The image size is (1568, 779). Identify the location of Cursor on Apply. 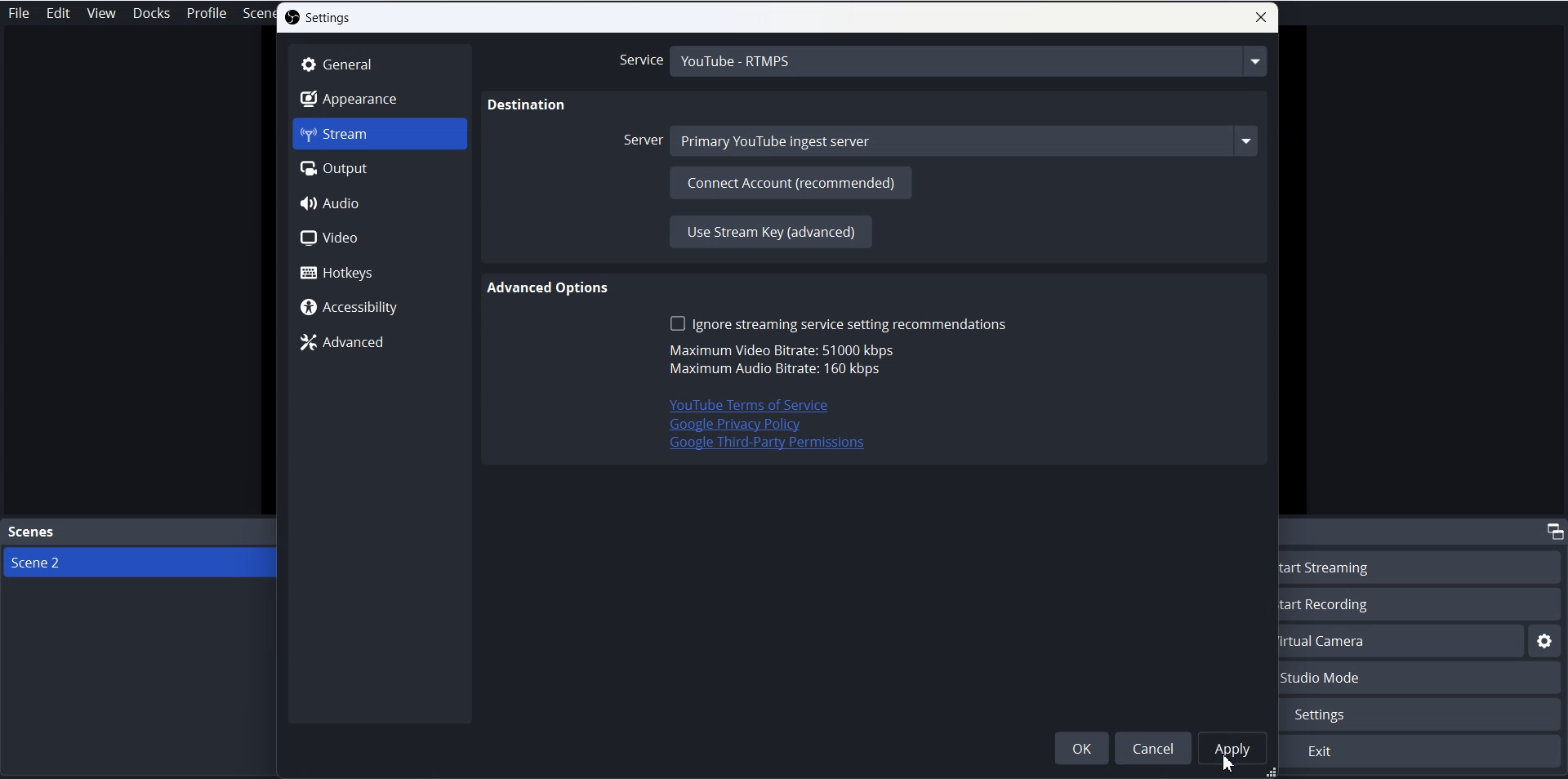
(1227, 764).